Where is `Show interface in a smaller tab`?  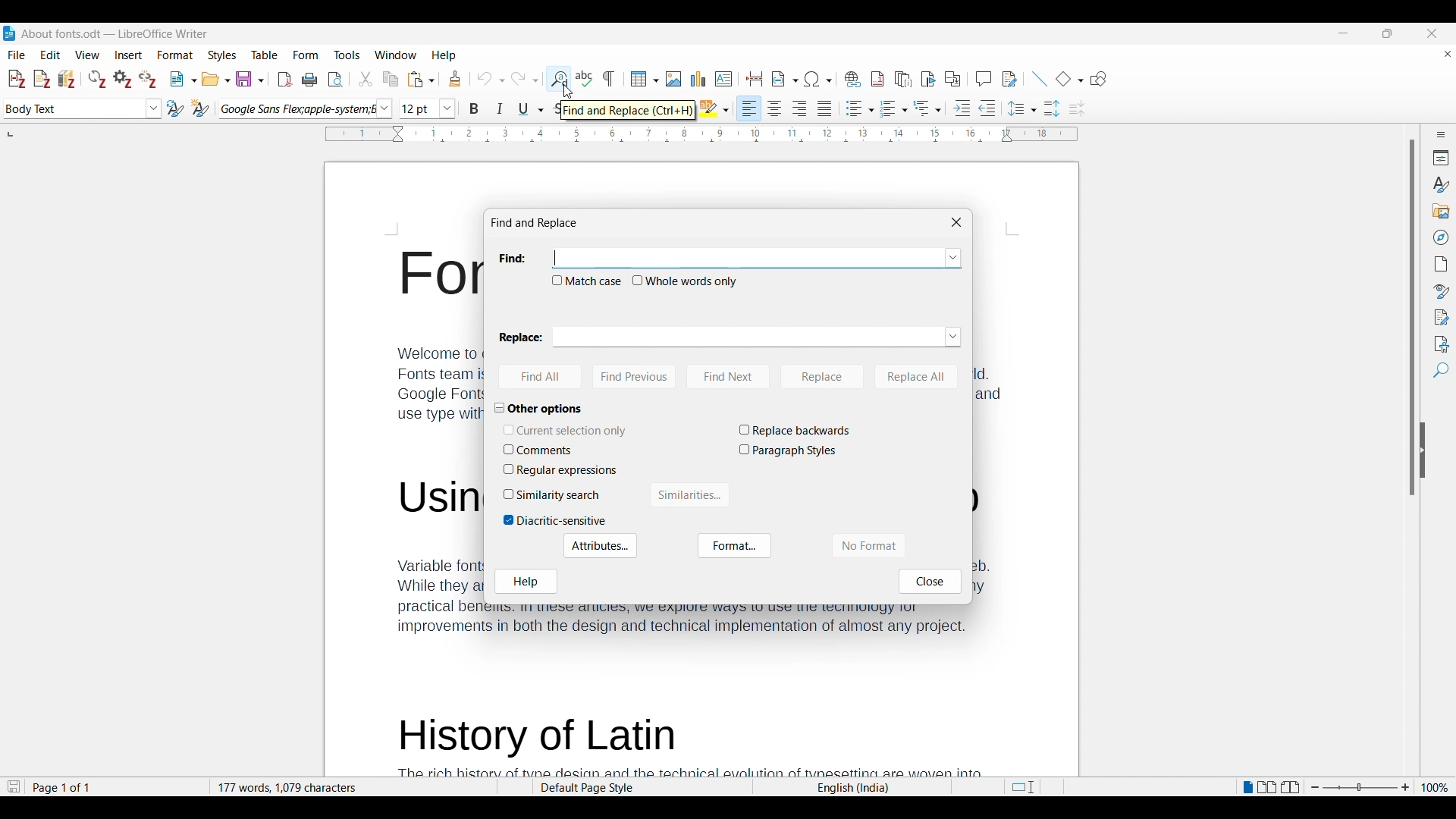 Show interface in a smaller tab is located at coordinates (1387, 33).